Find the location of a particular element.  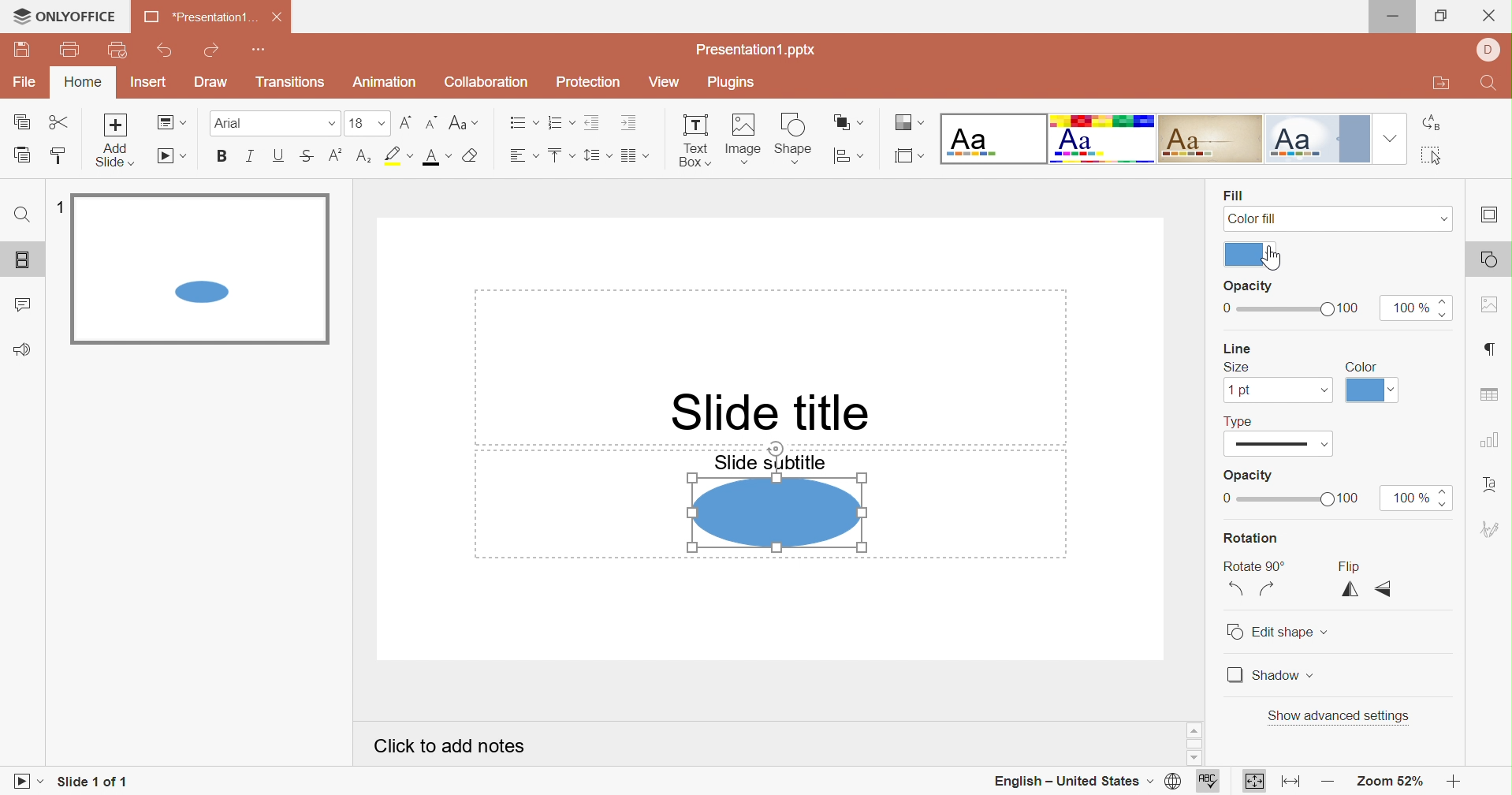

1pt is located at coordinates (1239, 390).